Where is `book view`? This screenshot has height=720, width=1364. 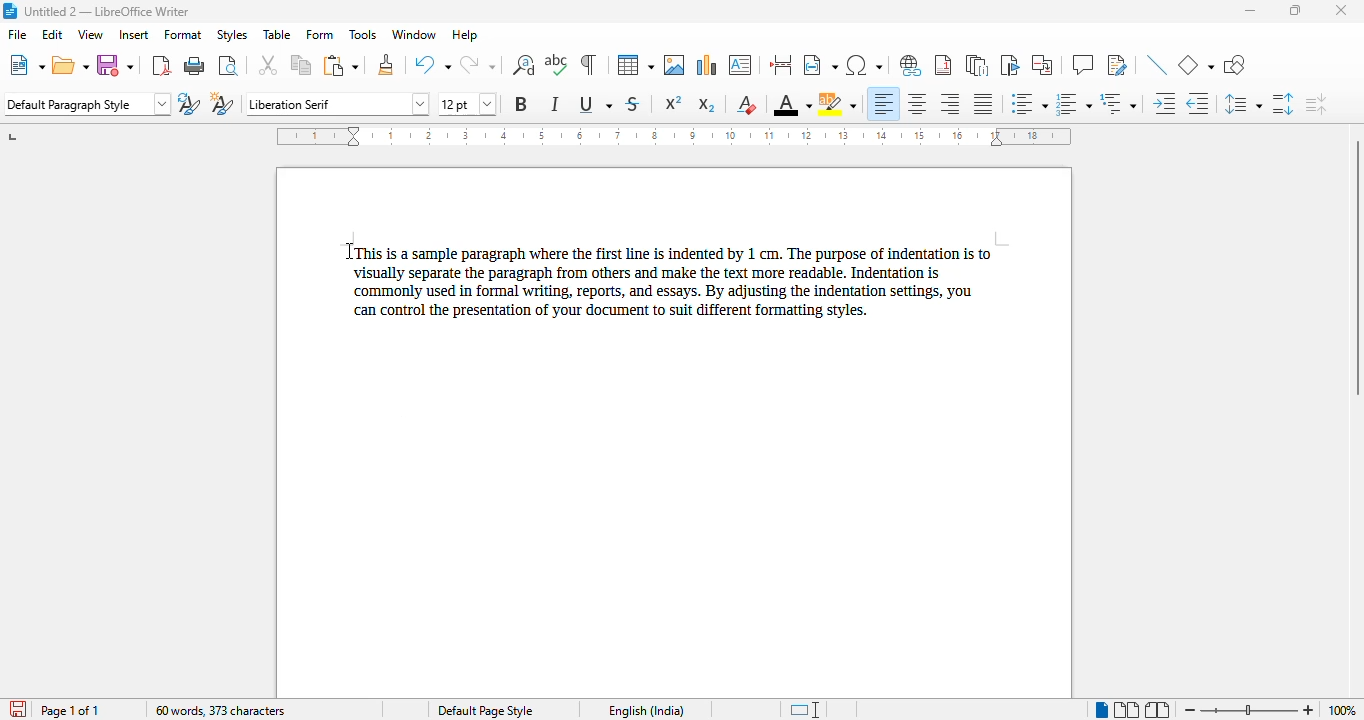 book view is located at coordinates (1158, 709).